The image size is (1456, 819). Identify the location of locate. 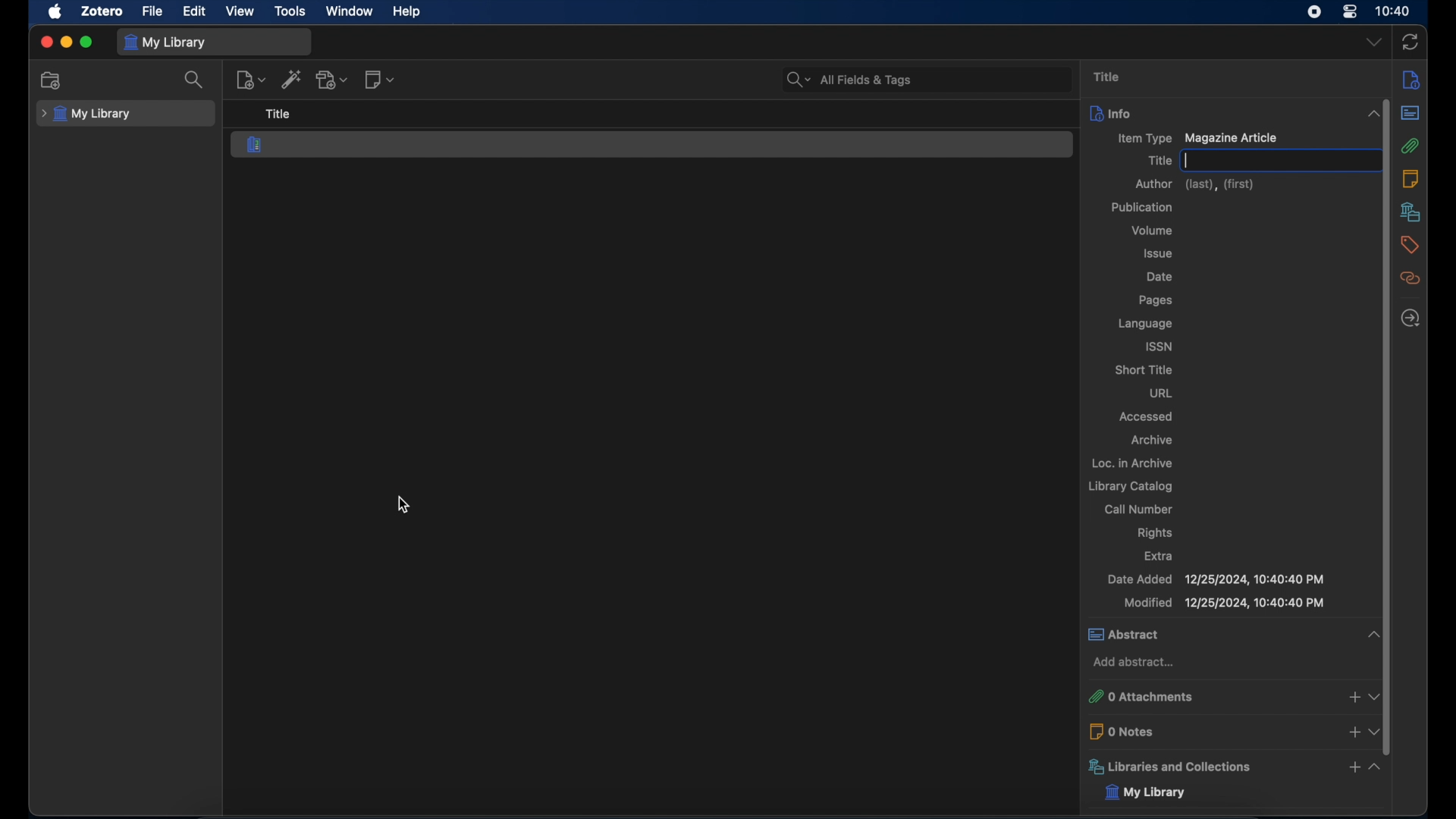
(1414, 318).